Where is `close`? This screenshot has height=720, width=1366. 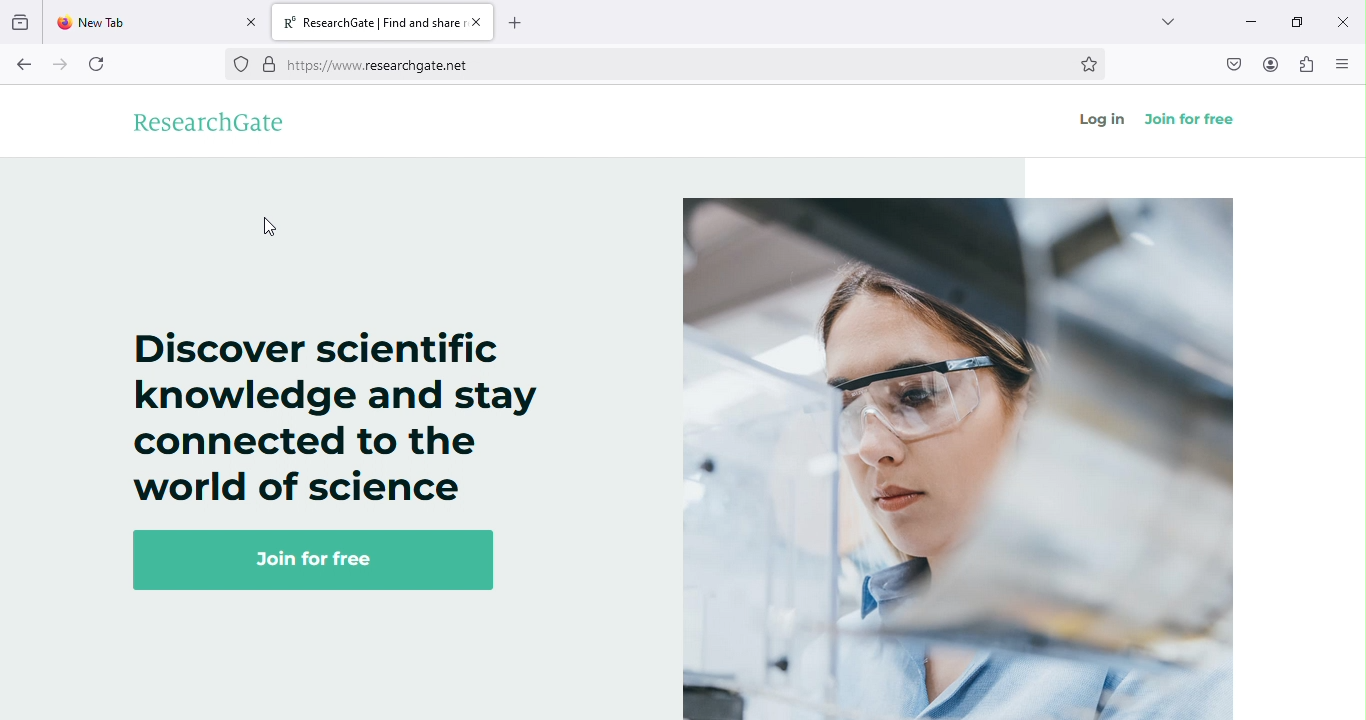
close is located at coordinates (250, 24).